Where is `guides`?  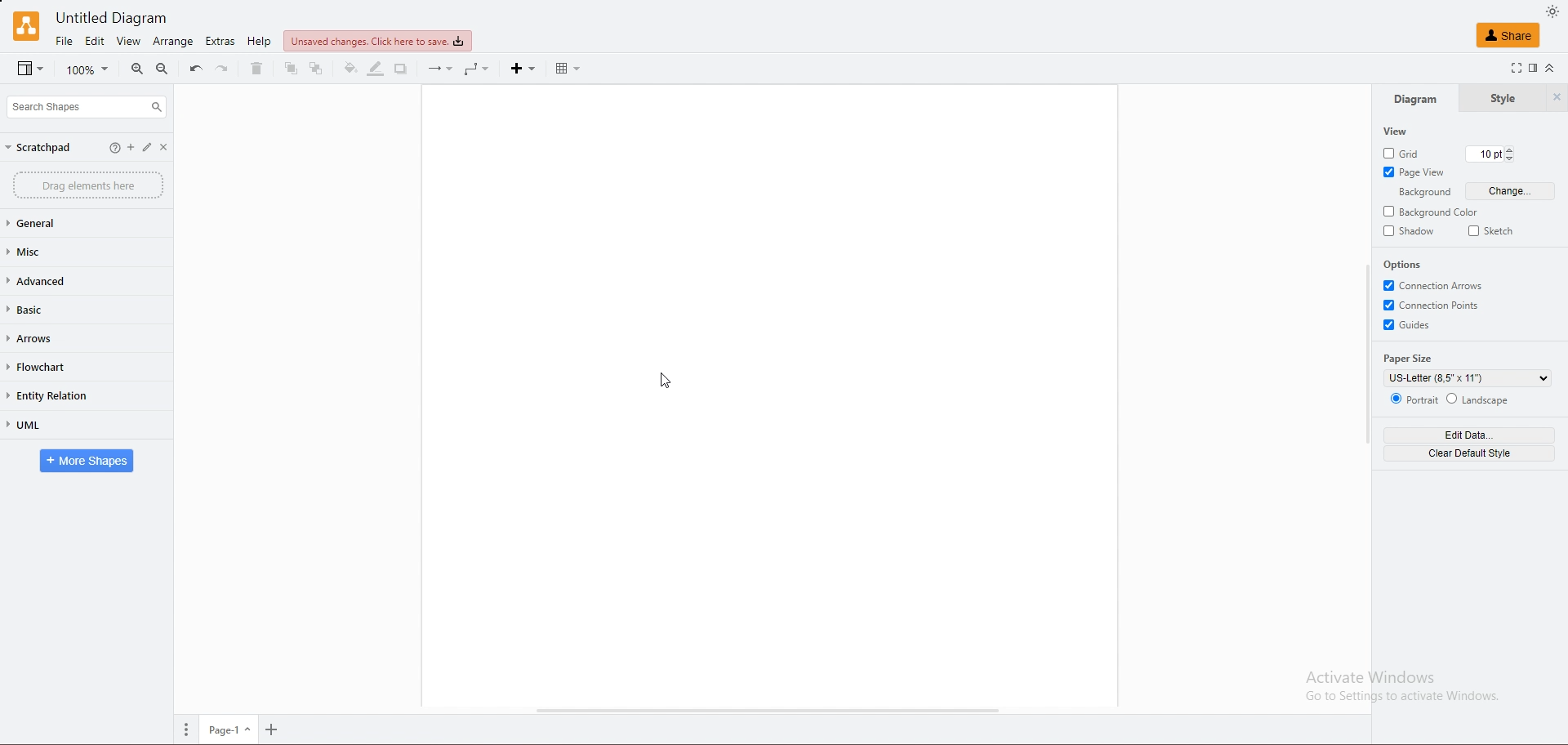 guides is located at coordinates (1413, 325).